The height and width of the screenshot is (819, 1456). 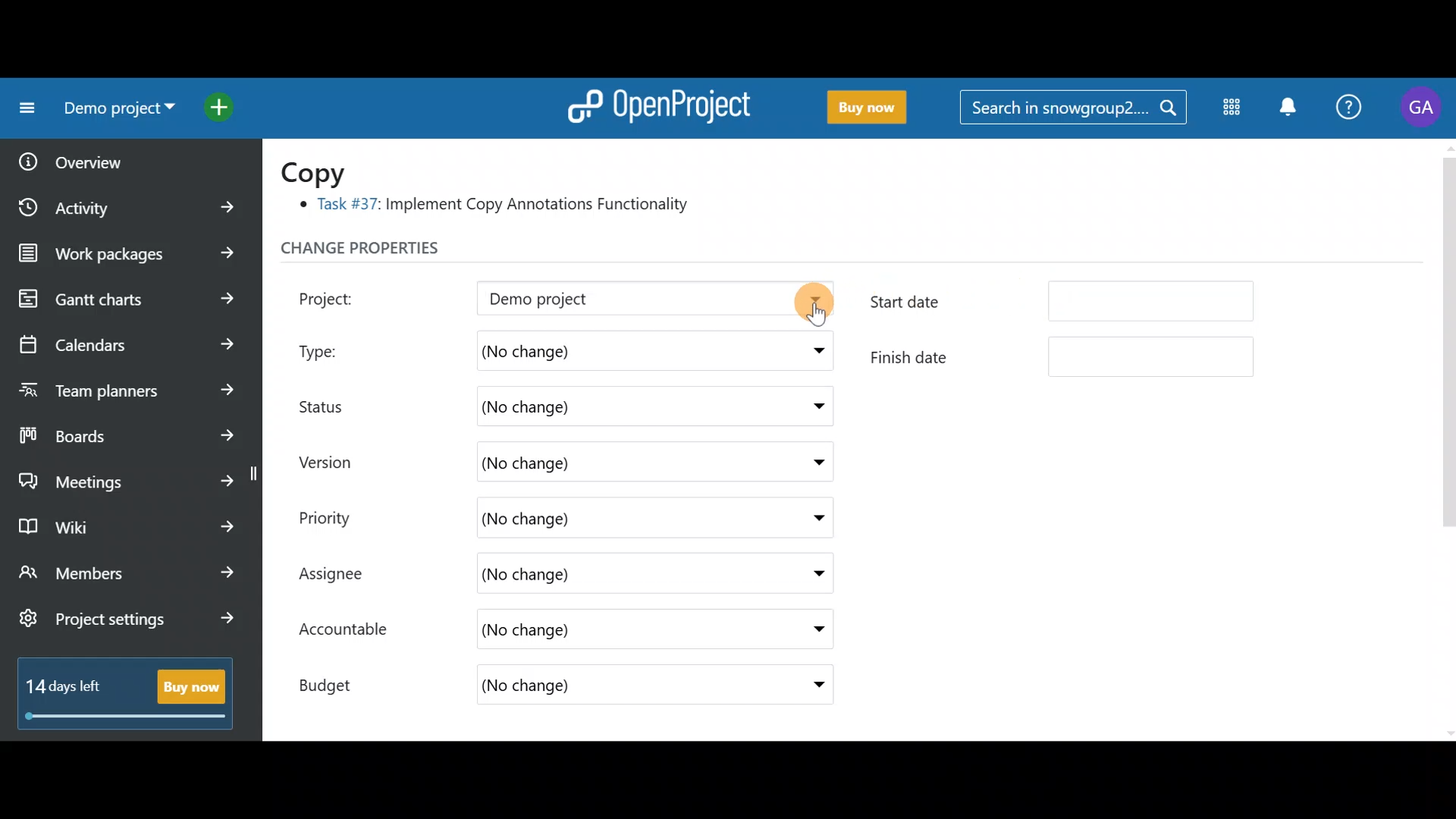 What do you see at coordinates (340, 681) in the screenshot?
I see `Budget` at bounding box center [340, 681].